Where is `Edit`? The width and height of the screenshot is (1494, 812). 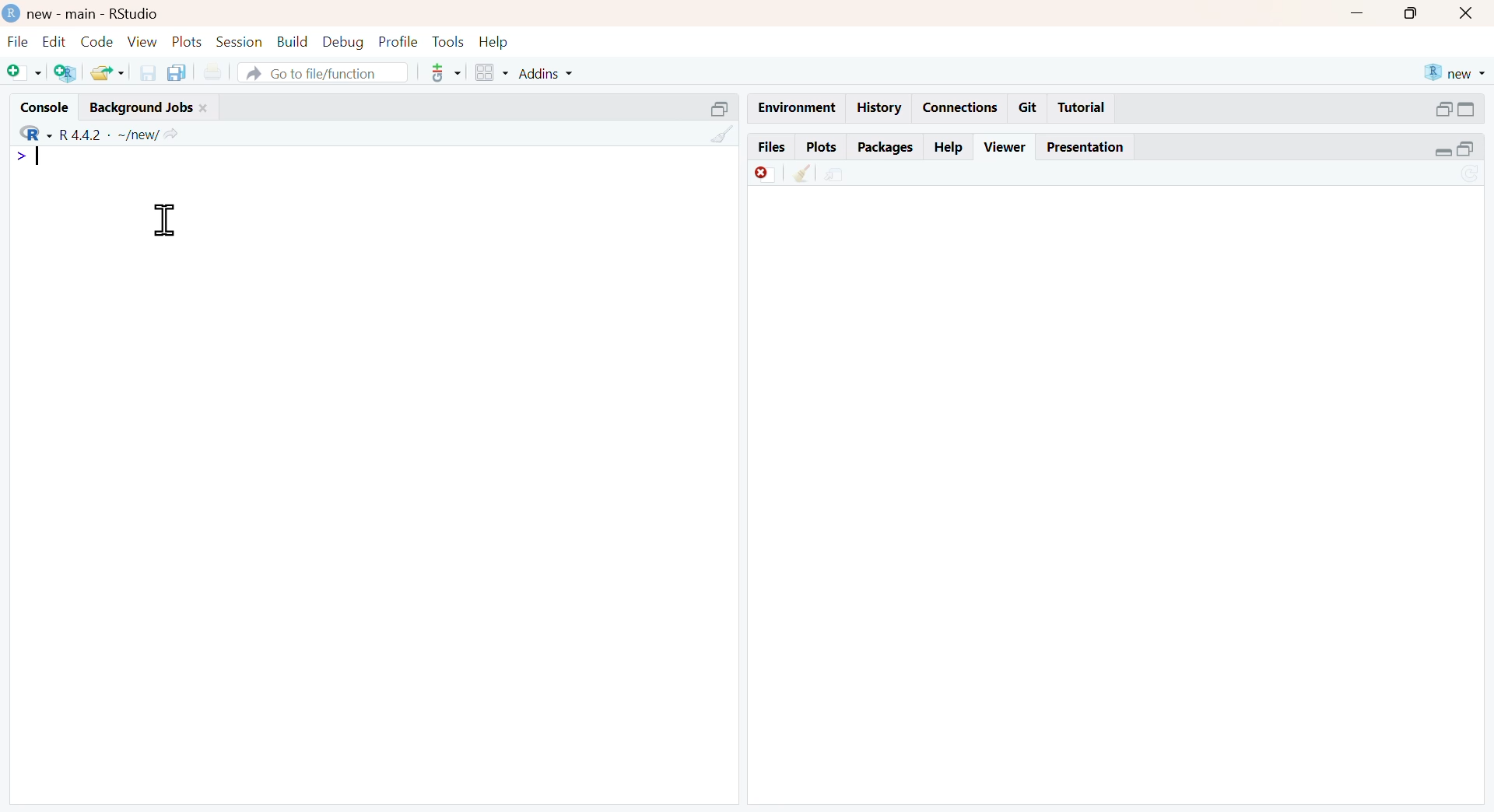 Edit is located at coordinates (53, 41).